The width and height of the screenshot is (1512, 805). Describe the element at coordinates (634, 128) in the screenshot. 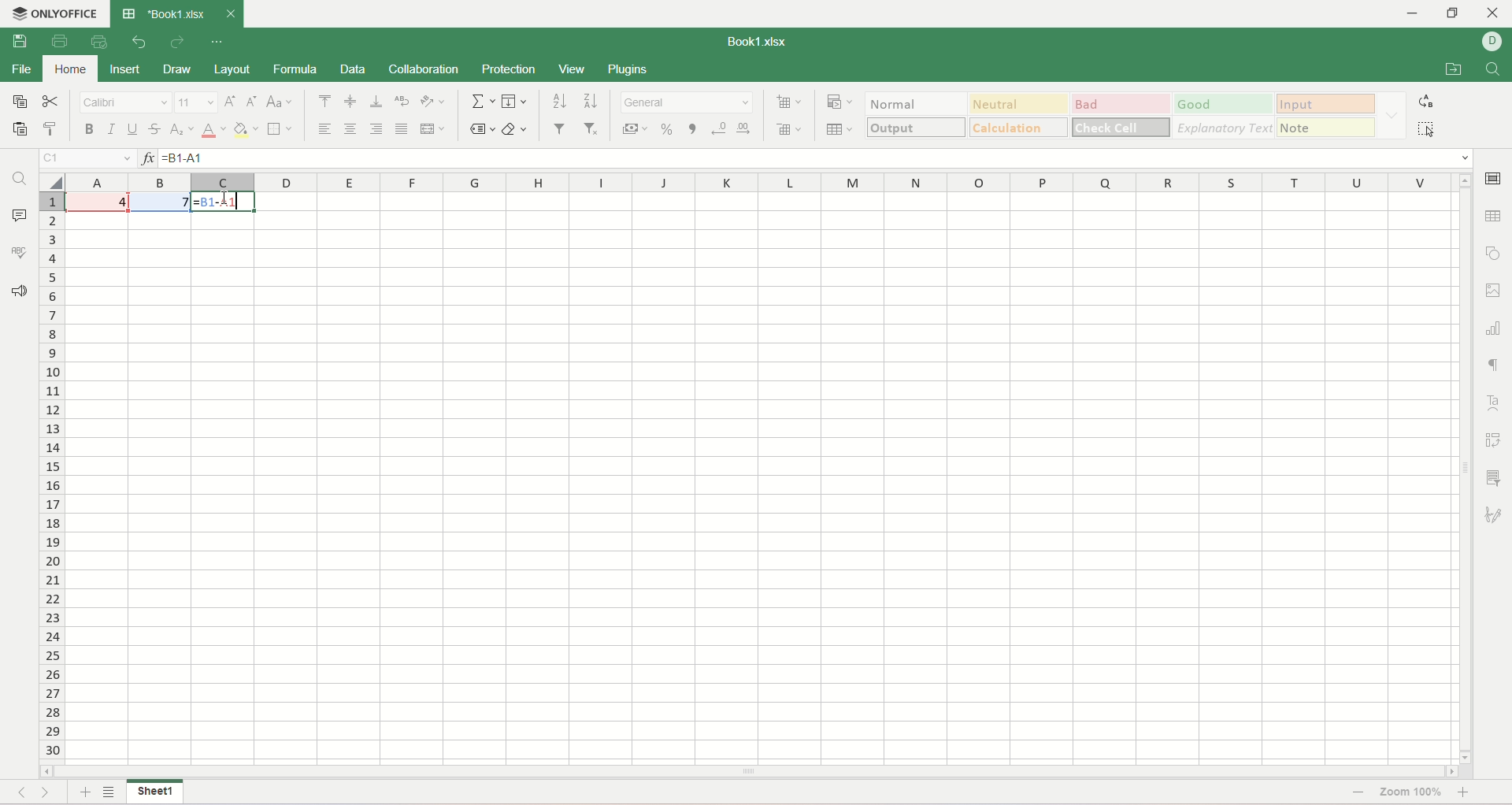

I see `currency format` at that location.